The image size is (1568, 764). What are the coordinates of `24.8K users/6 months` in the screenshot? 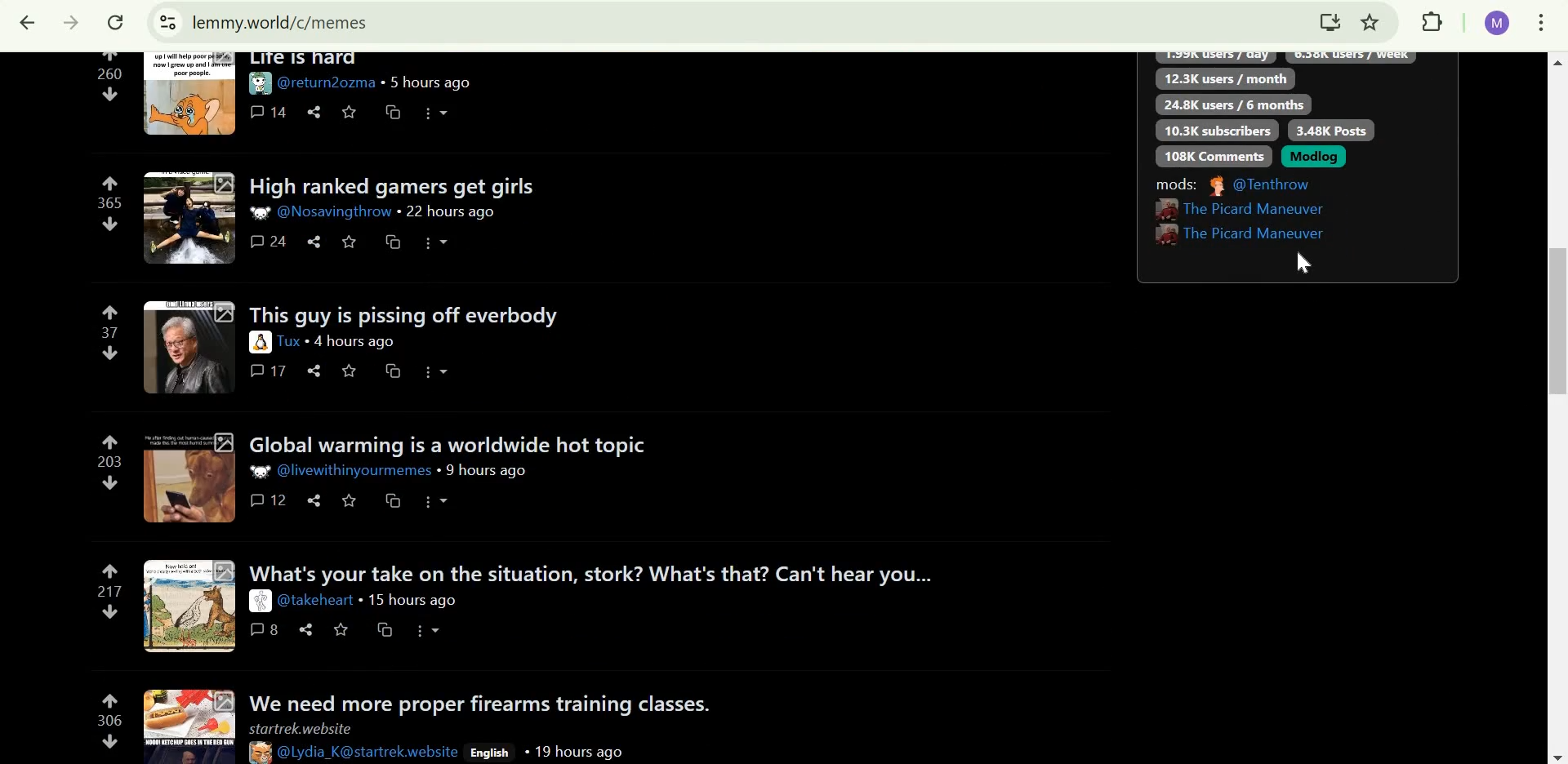 It's located at (1234, 104).